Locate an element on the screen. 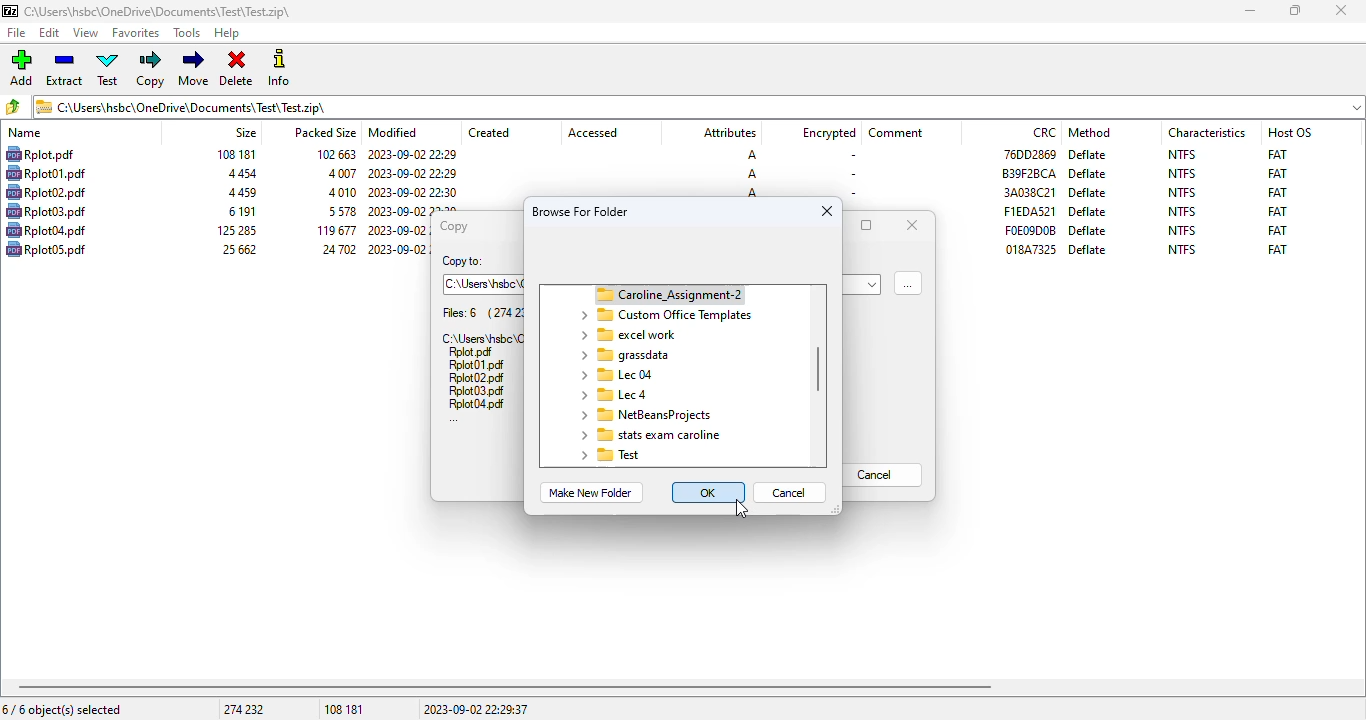  NTFS is located at coordinates (1183, 230).